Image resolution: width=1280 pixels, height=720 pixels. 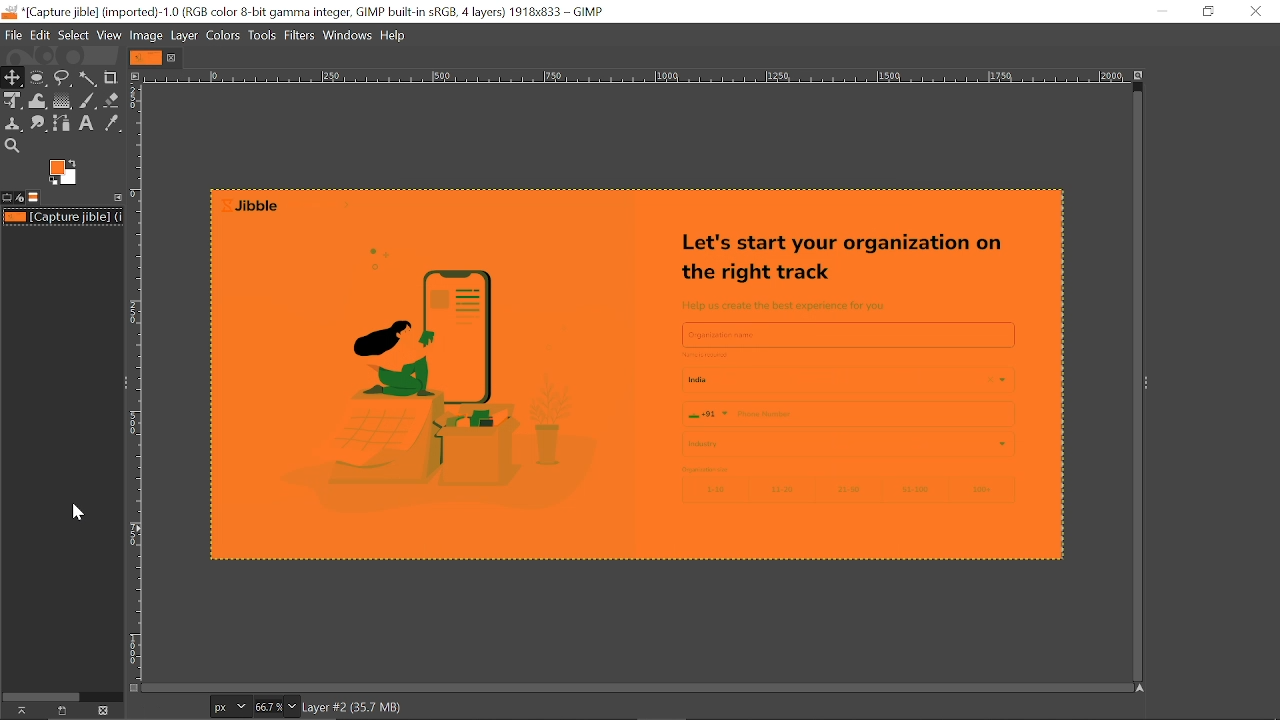 What do you see at coordinates (38, 78) in the screenshot?
I see `Ellipse select tool` at bounding box center [38, 78].